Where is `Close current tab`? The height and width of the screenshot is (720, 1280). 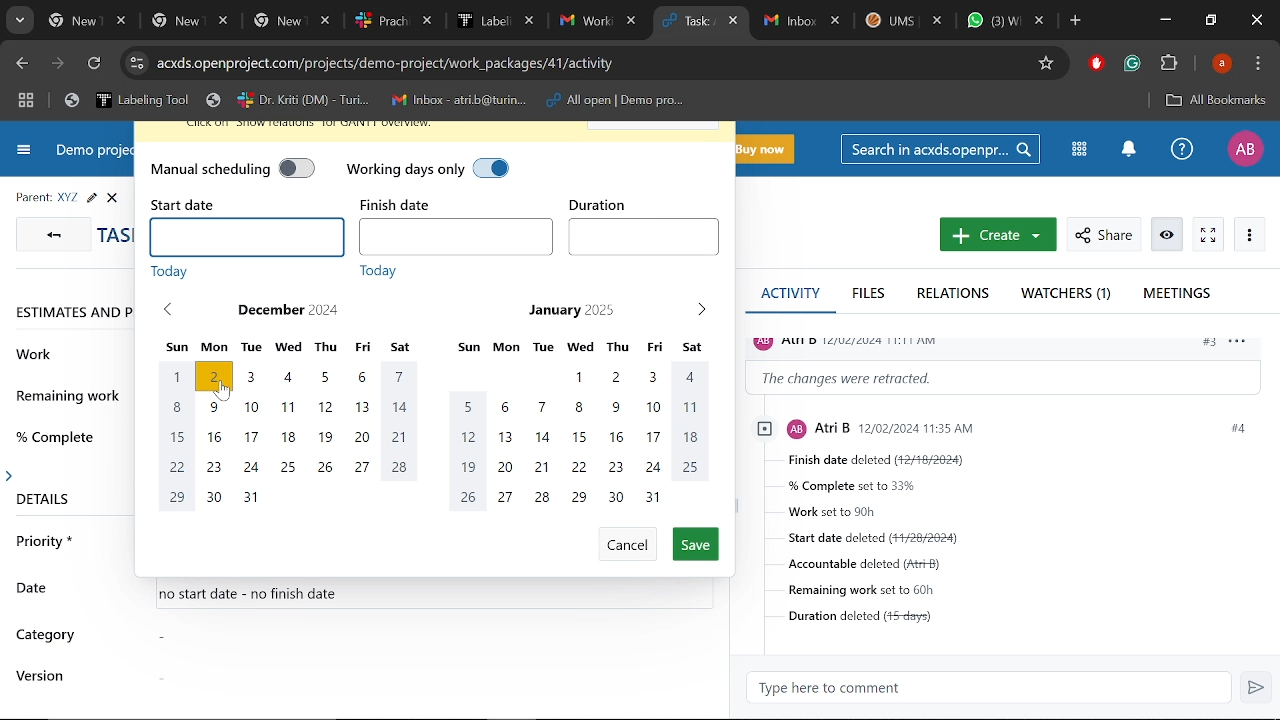 Close current tab is located at coordinates (735, 23).